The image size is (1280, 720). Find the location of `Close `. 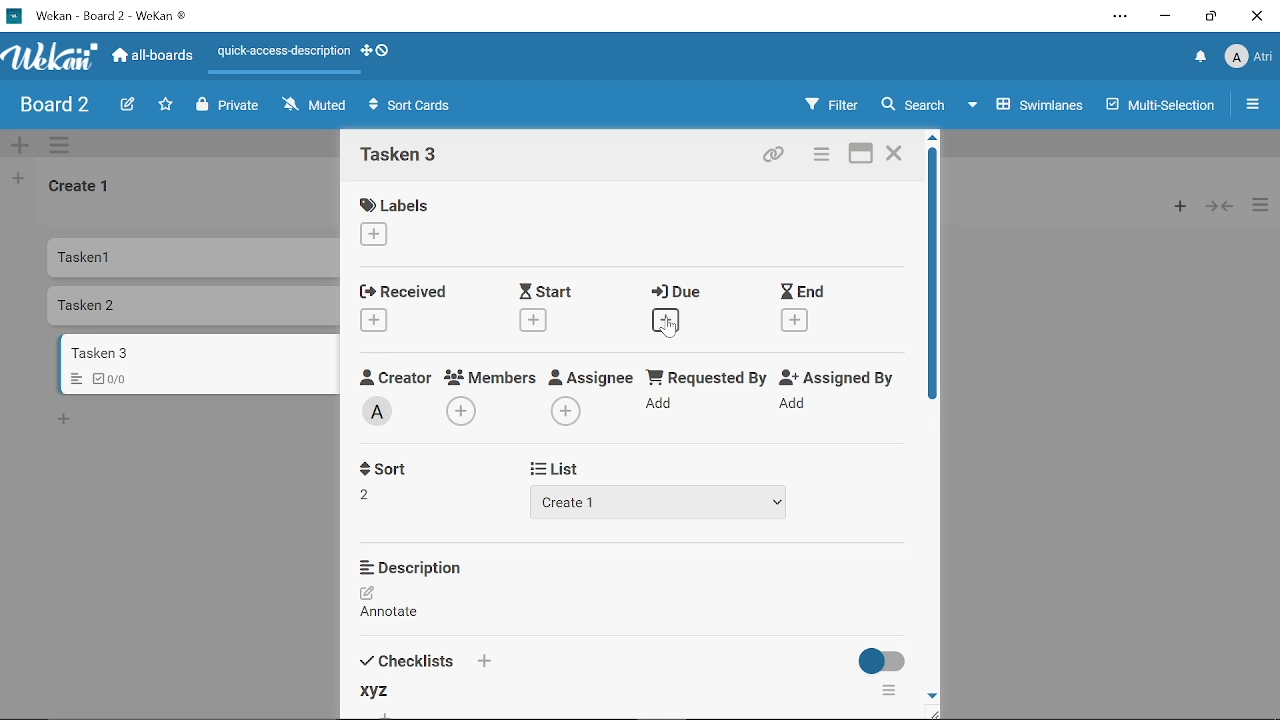

Close  is located at coordinates (896, 155).